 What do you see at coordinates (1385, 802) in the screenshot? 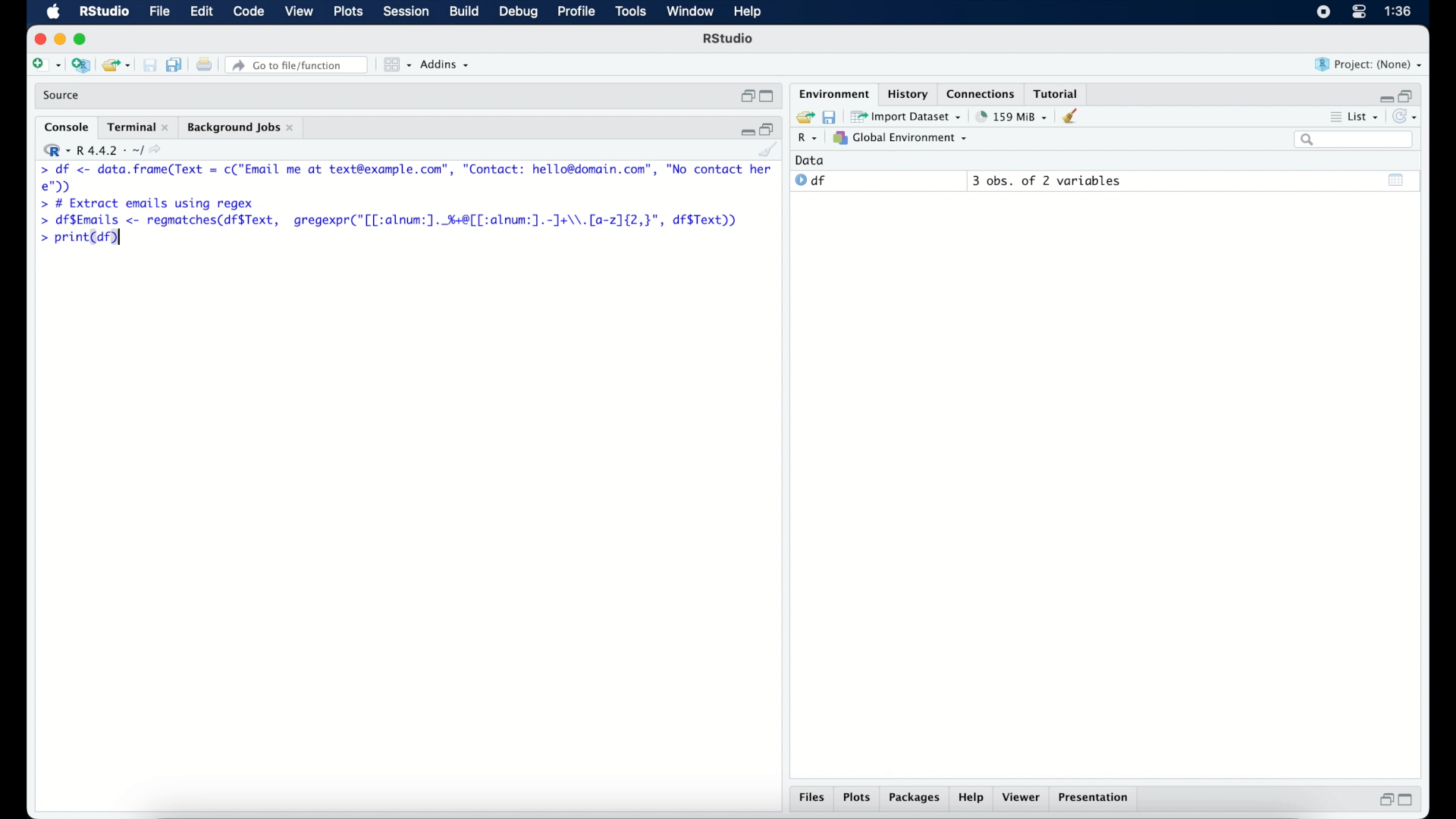
I see `restore down` at bounding box center [1385, 802].